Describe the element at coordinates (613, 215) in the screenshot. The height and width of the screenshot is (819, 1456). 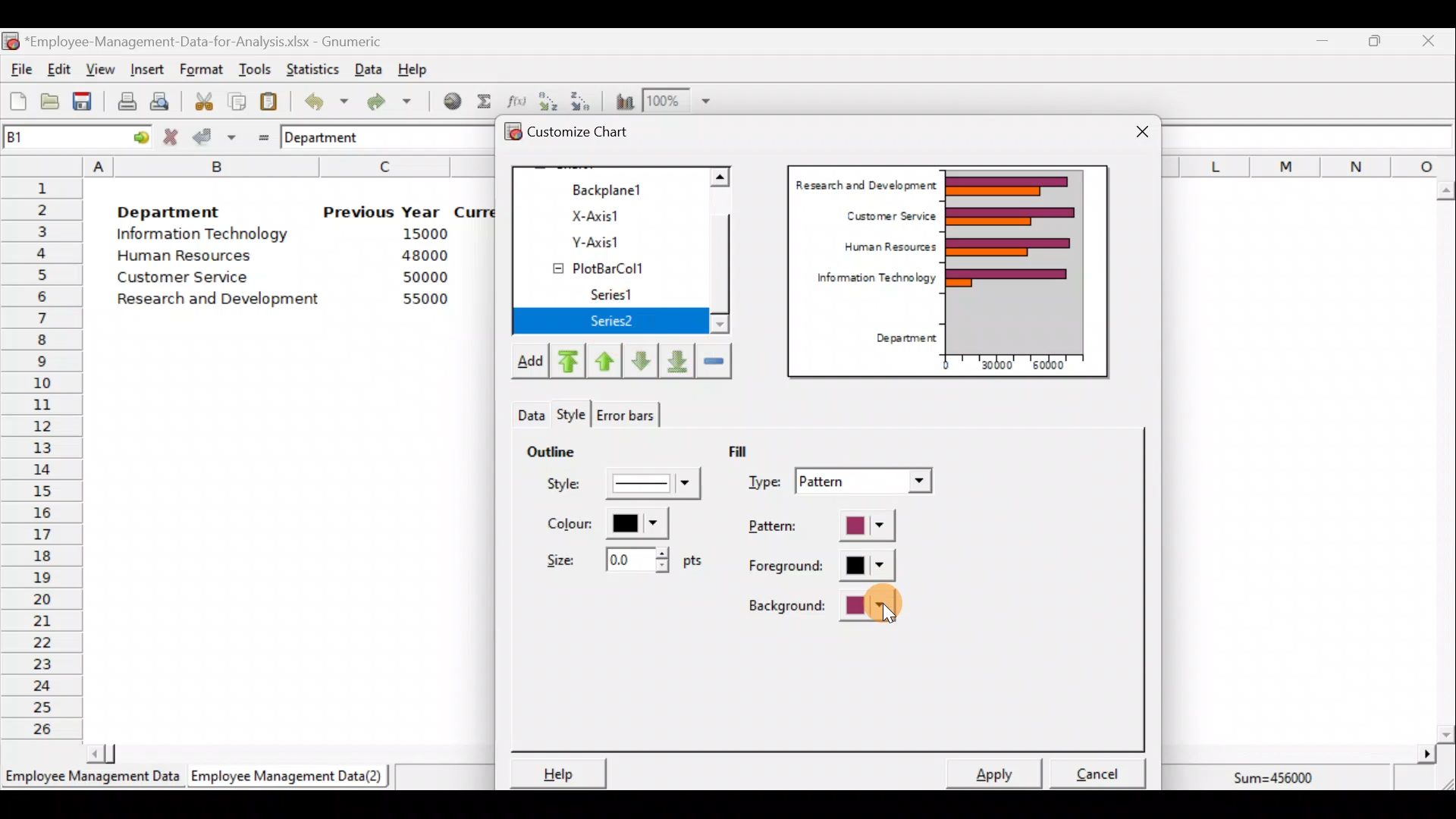
I see `X-axis1` at that location.